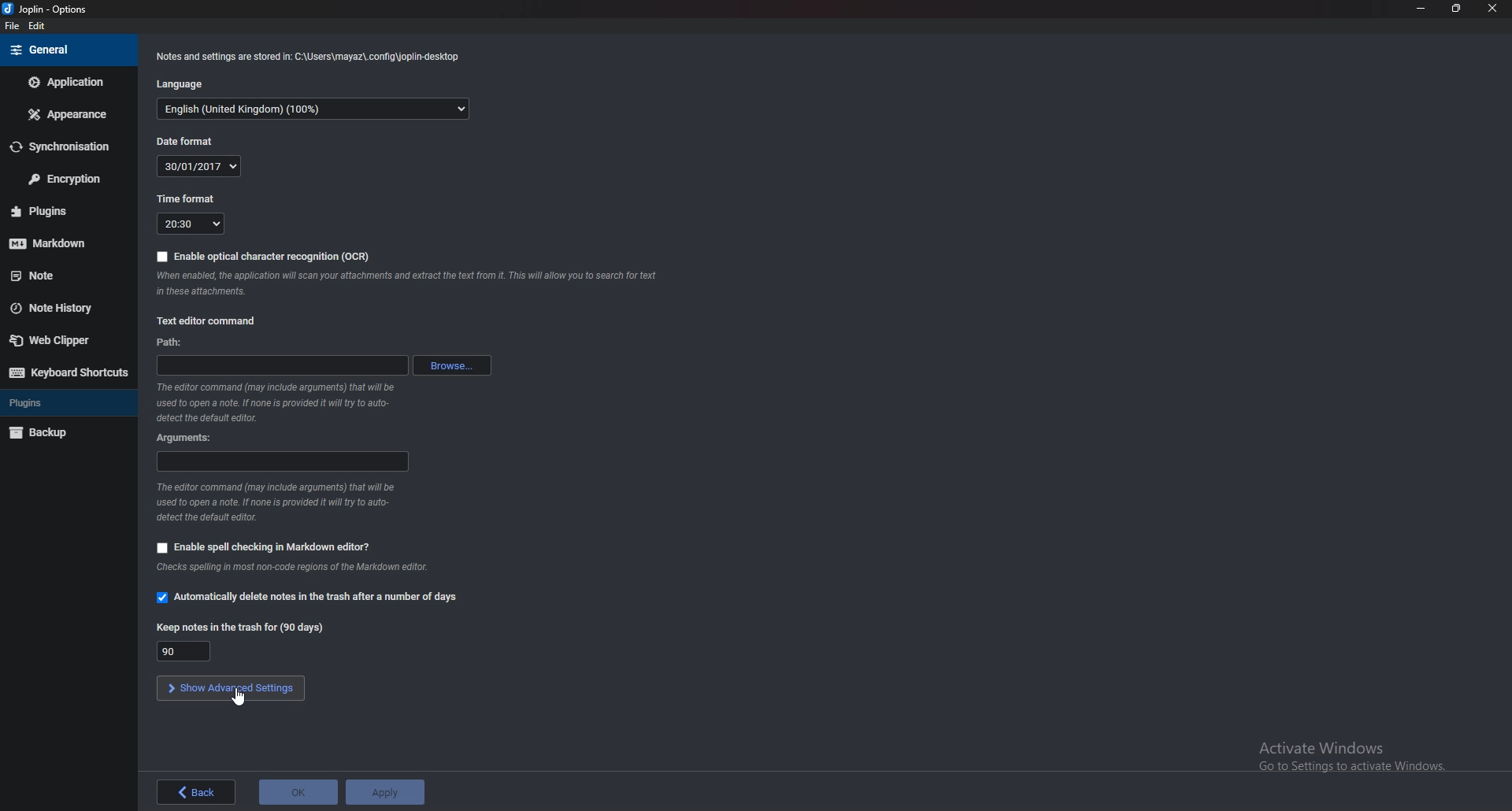 Image resolution: width=1512 pixels, height=811 pixels. I want to click on cursor, so click(239, 698).